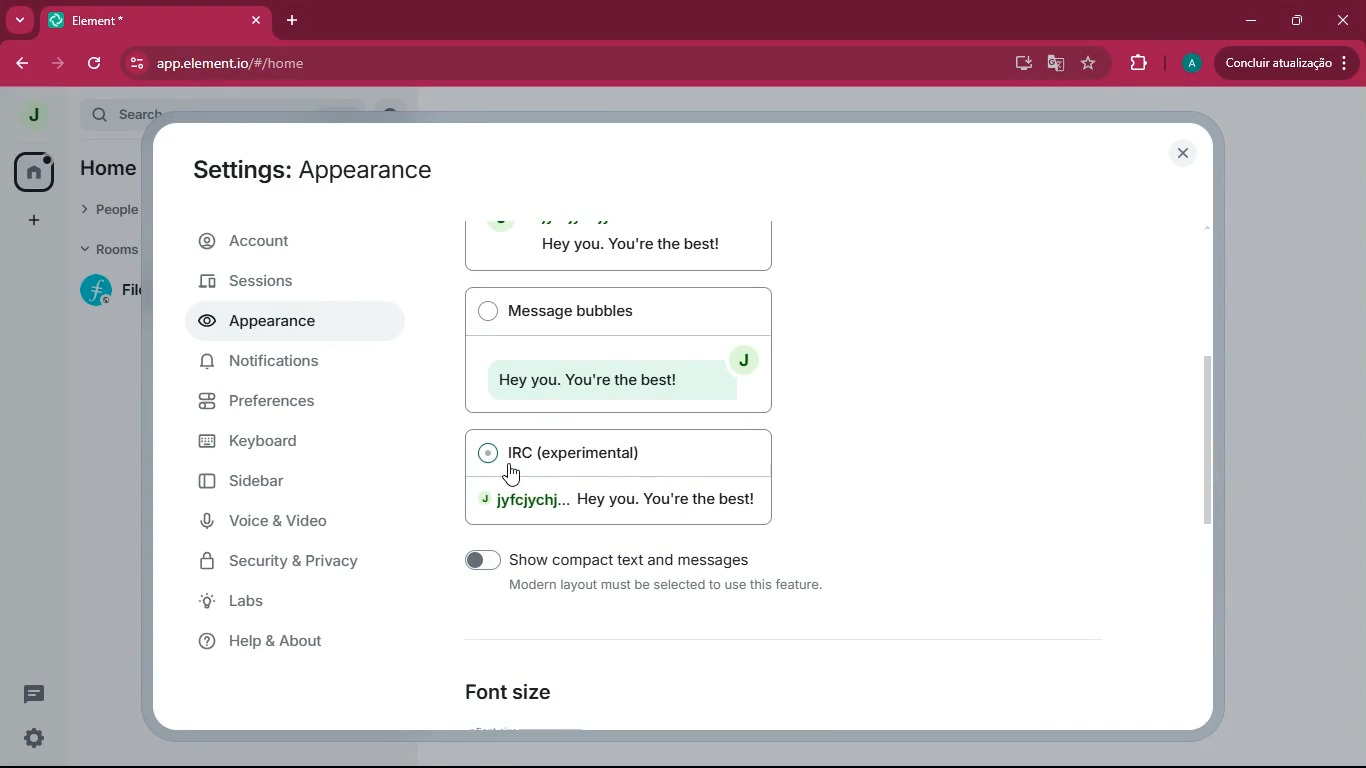  Describe the element at coordinates (621, 246) in the screenshot. I see `Modern layout` at that location.